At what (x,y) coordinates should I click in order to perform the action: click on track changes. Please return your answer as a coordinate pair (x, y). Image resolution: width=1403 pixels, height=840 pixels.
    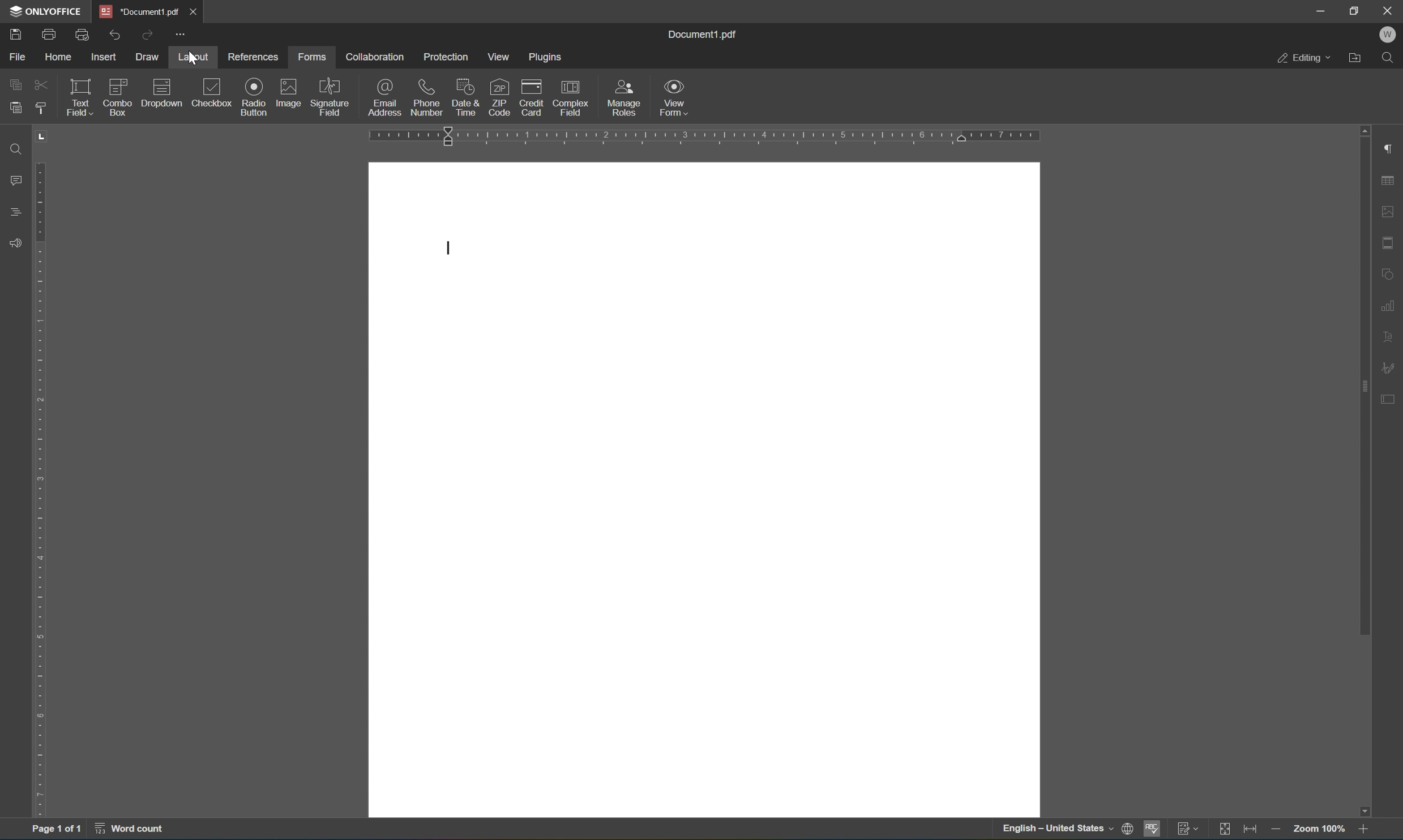
    Looking at the image, I should click on (1190, 830).